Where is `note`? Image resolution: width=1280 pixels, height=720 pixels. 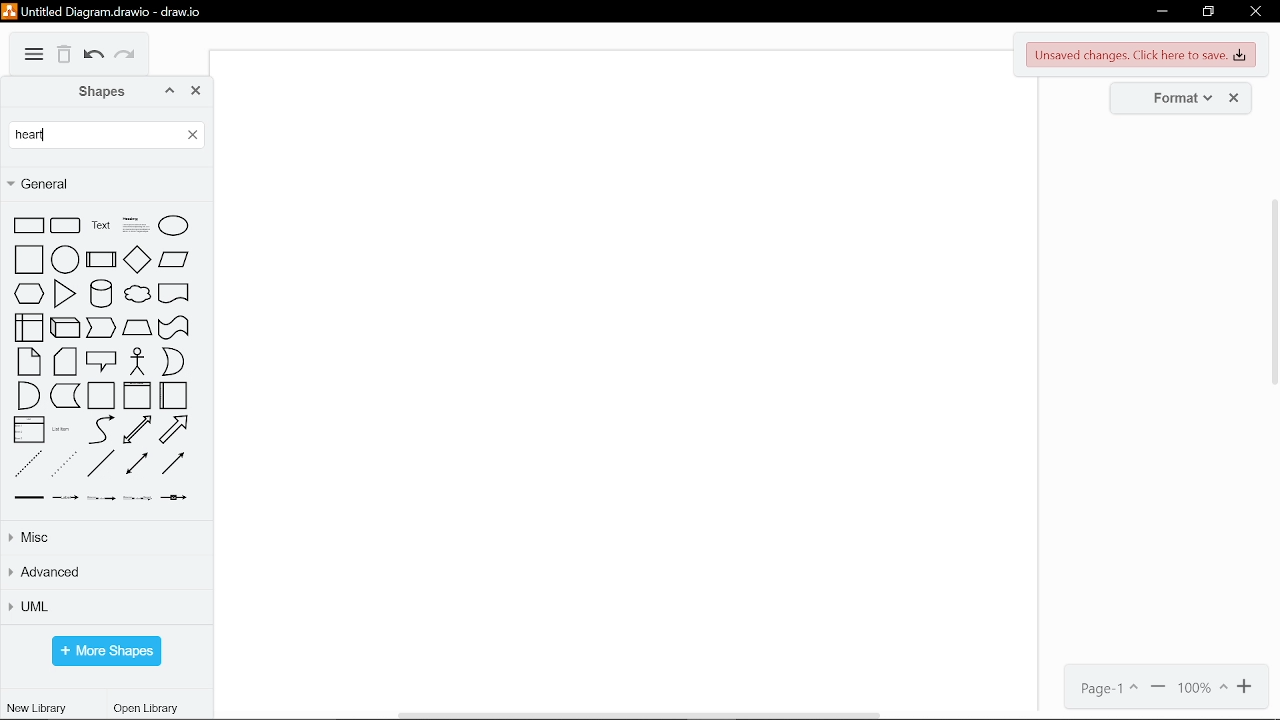 note is located at coordinates (28, 363).